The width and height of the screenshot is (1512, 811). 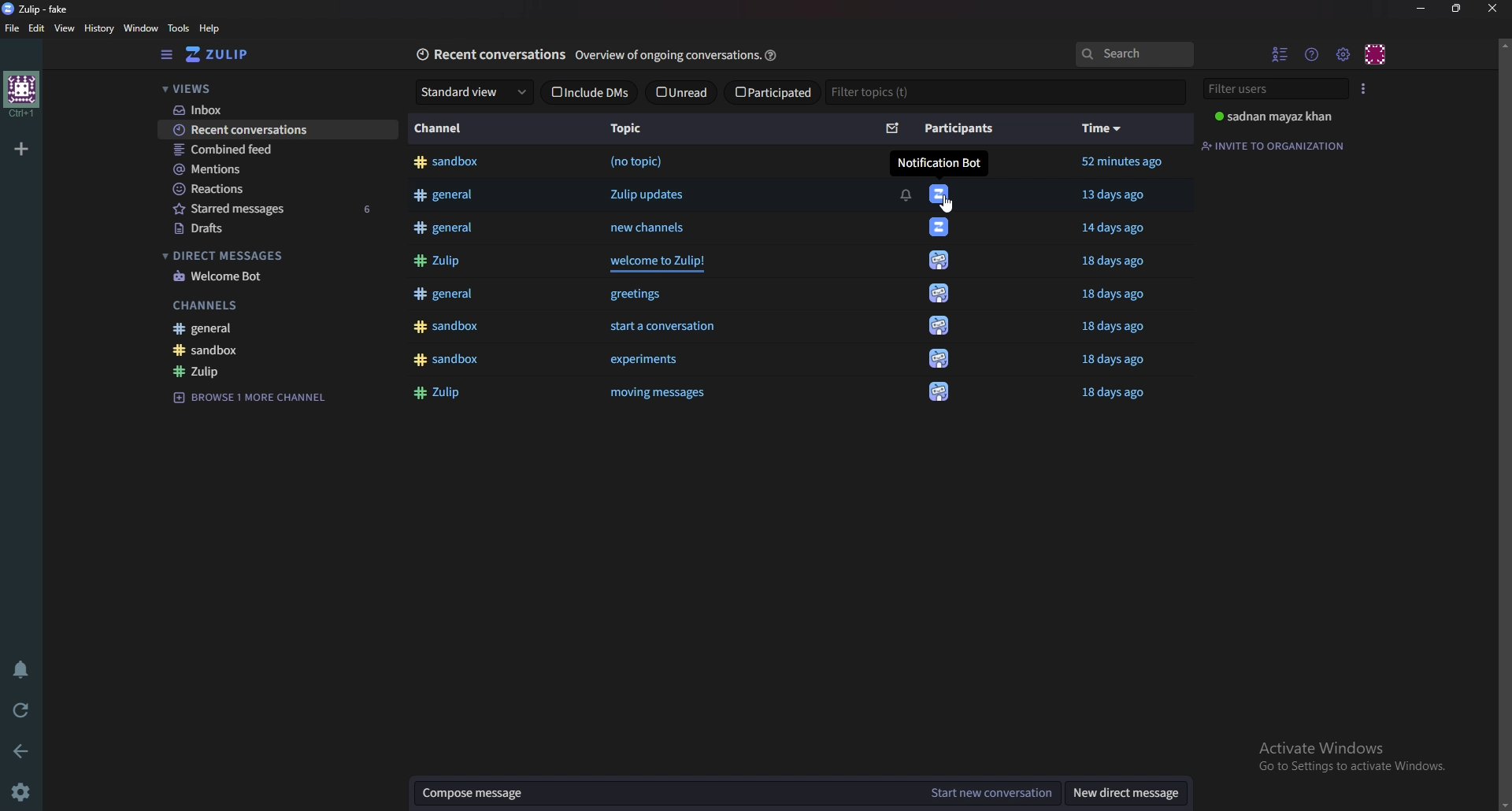 I want to click on Combined feed, so click(x=271, y=150).